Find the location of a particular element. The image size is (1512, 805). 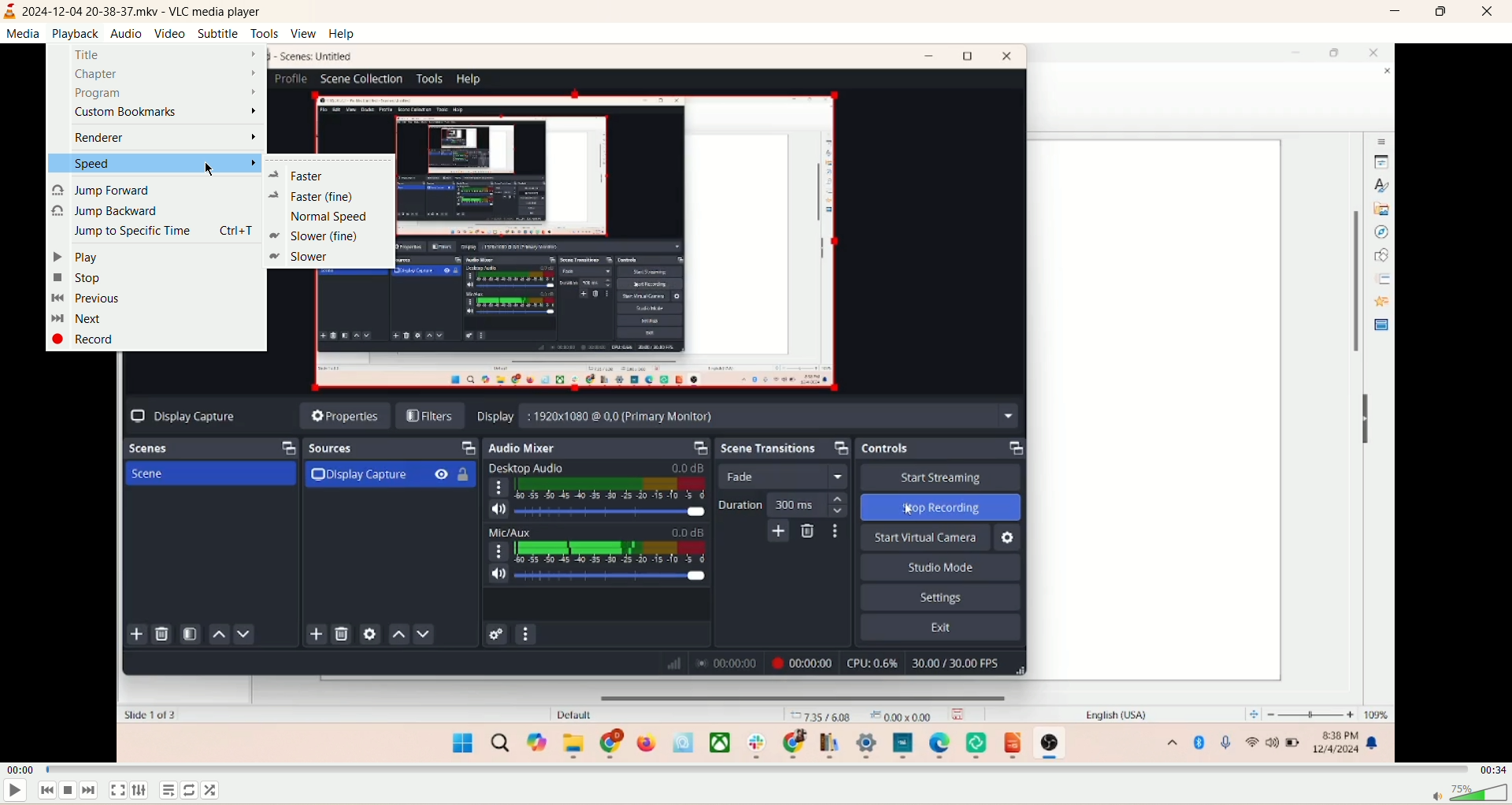

jump forward is located at coordinates (106, 191).